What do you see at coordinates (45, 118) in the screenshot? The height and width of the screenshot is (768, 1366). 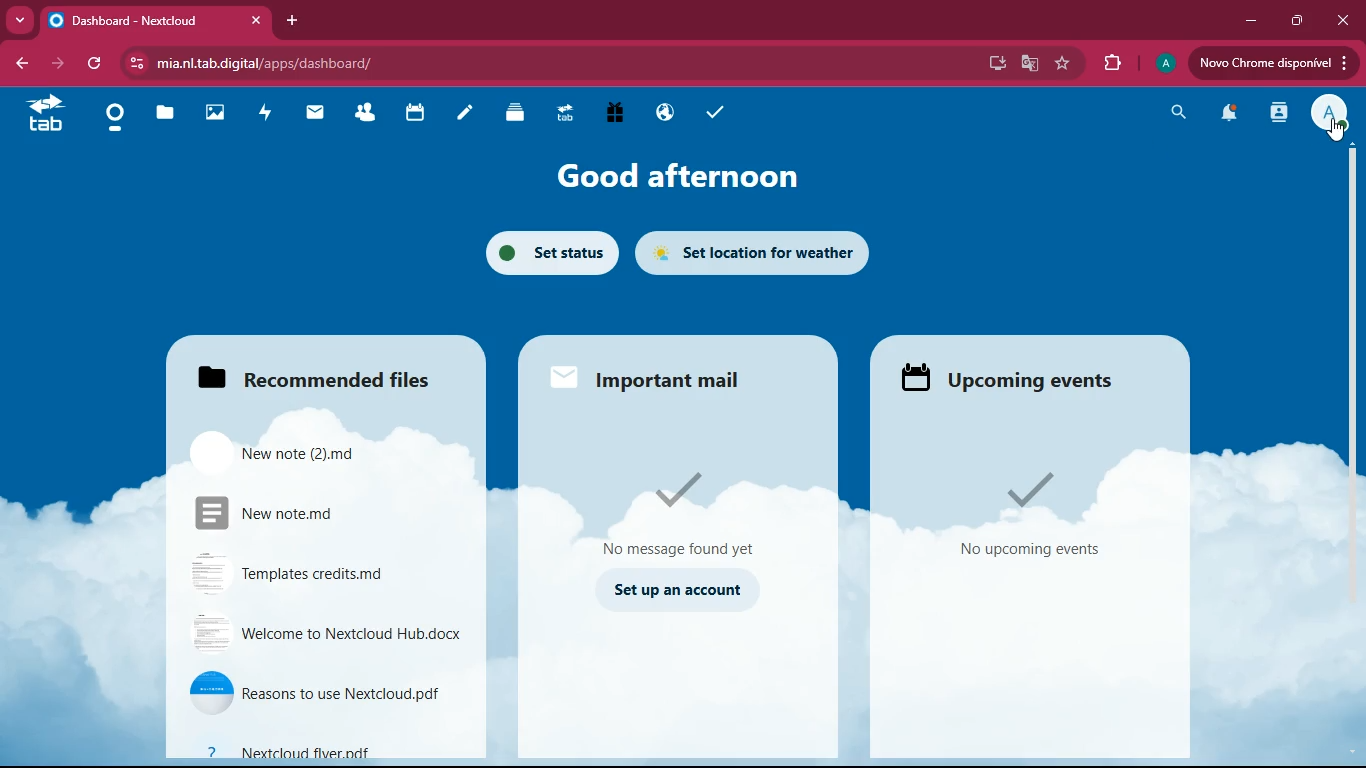 I see `tab` at bounding box center [45, 118].